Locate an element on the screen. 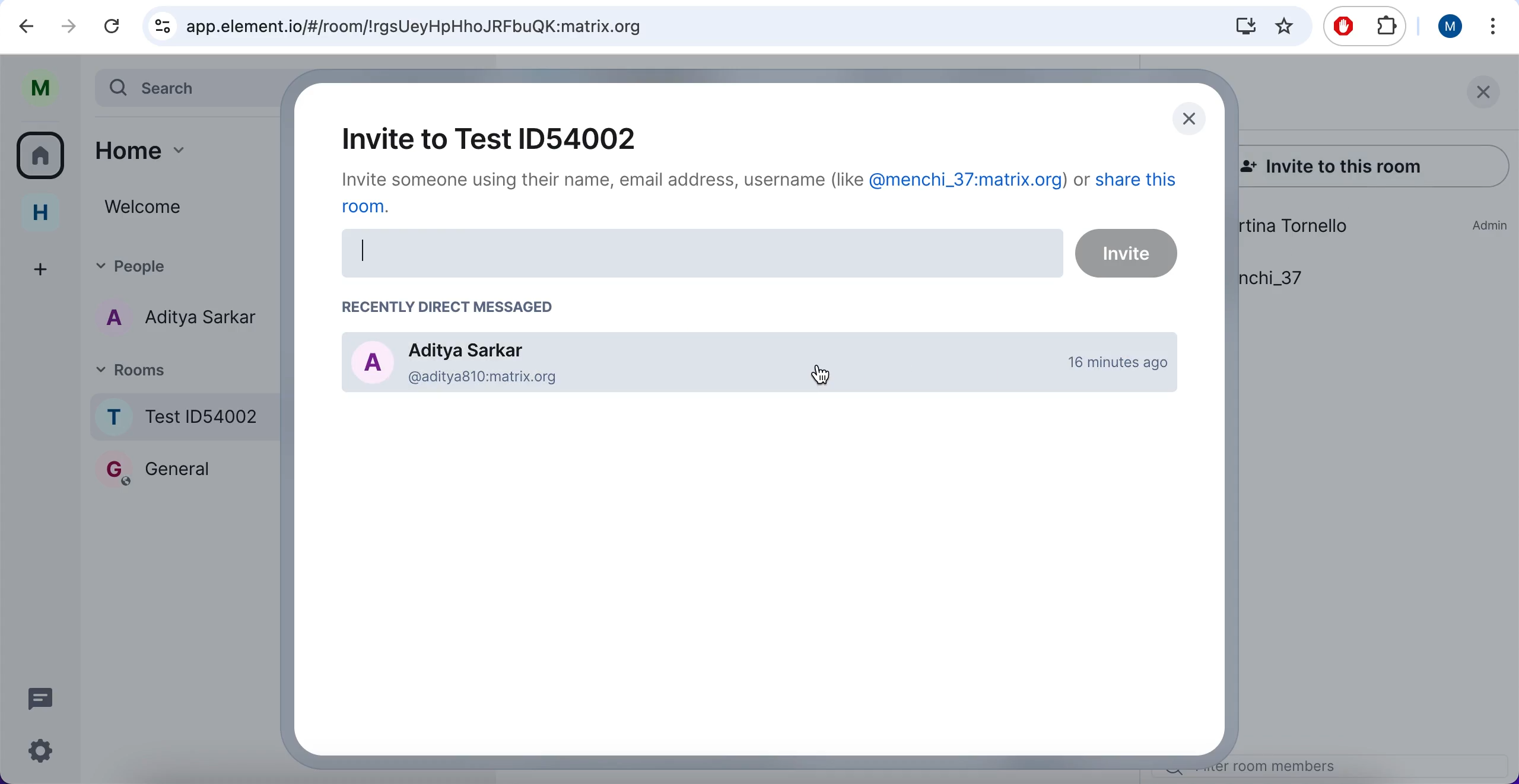  redo is located at coordinates (68, 26).